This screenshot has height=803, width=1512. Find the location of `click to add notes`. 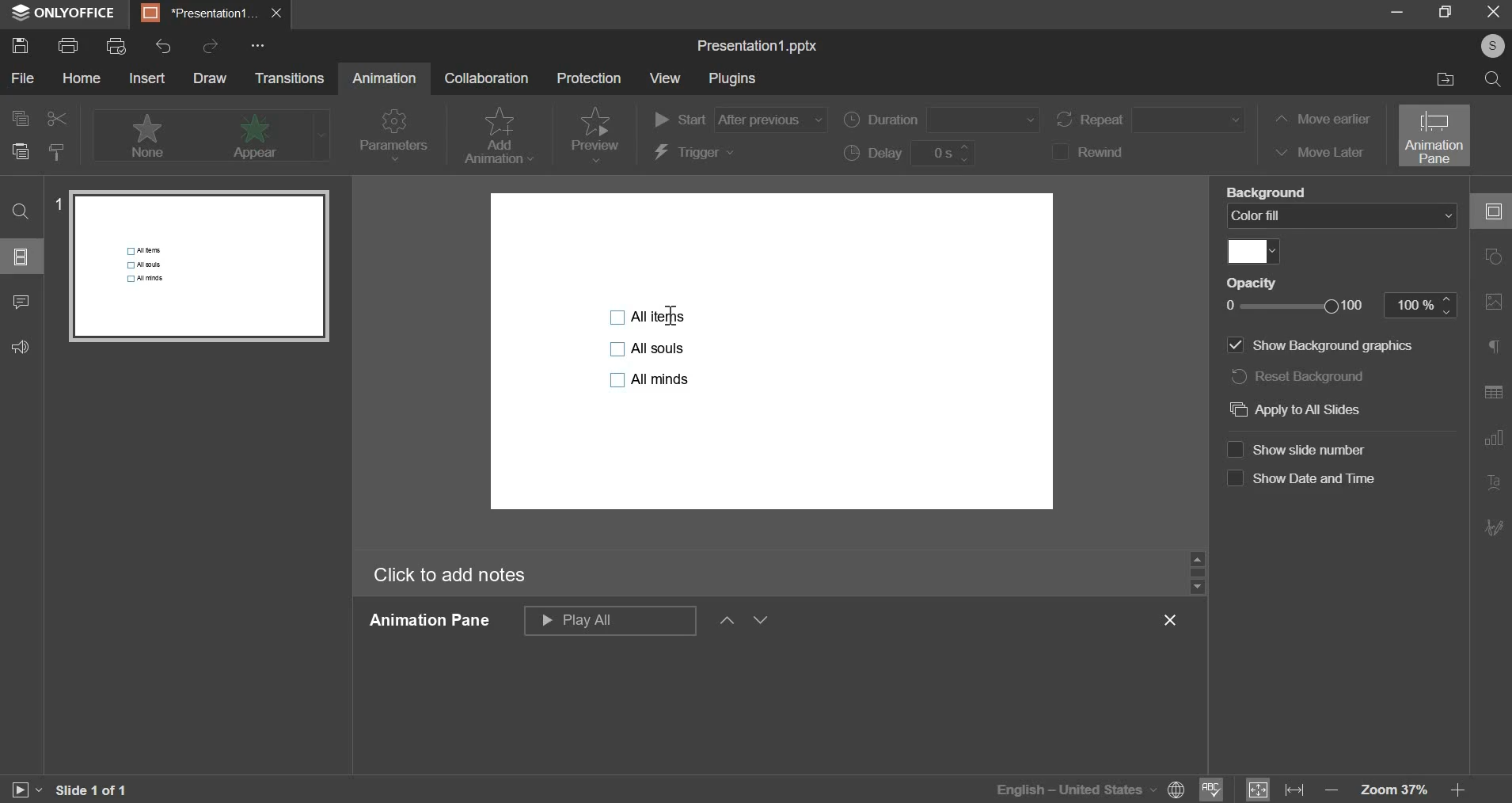

click to add notes is located at coordinates (450, 576).